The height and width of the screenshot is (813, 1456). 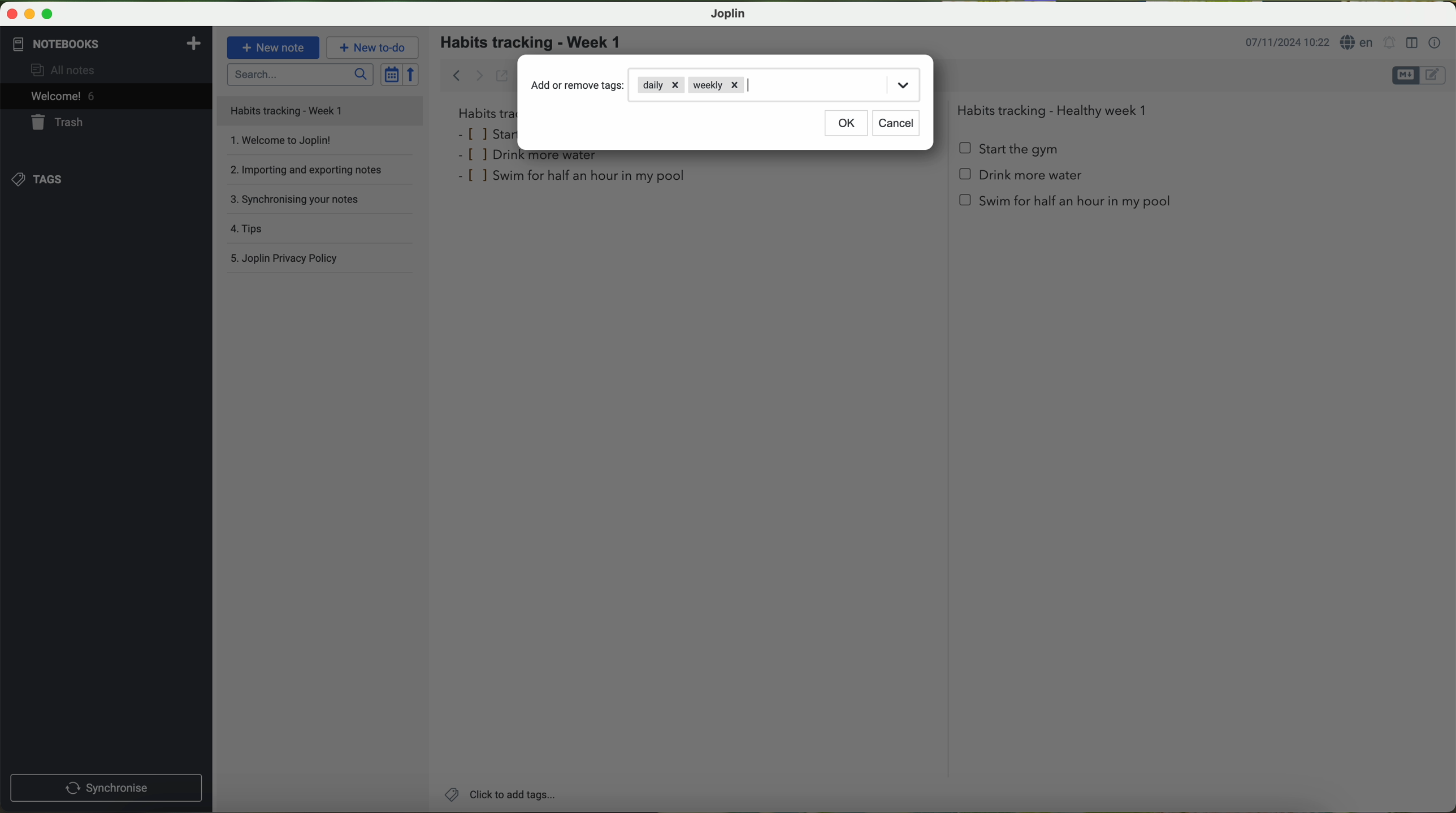 I want to click on search bar, so click(x=299, y=74).